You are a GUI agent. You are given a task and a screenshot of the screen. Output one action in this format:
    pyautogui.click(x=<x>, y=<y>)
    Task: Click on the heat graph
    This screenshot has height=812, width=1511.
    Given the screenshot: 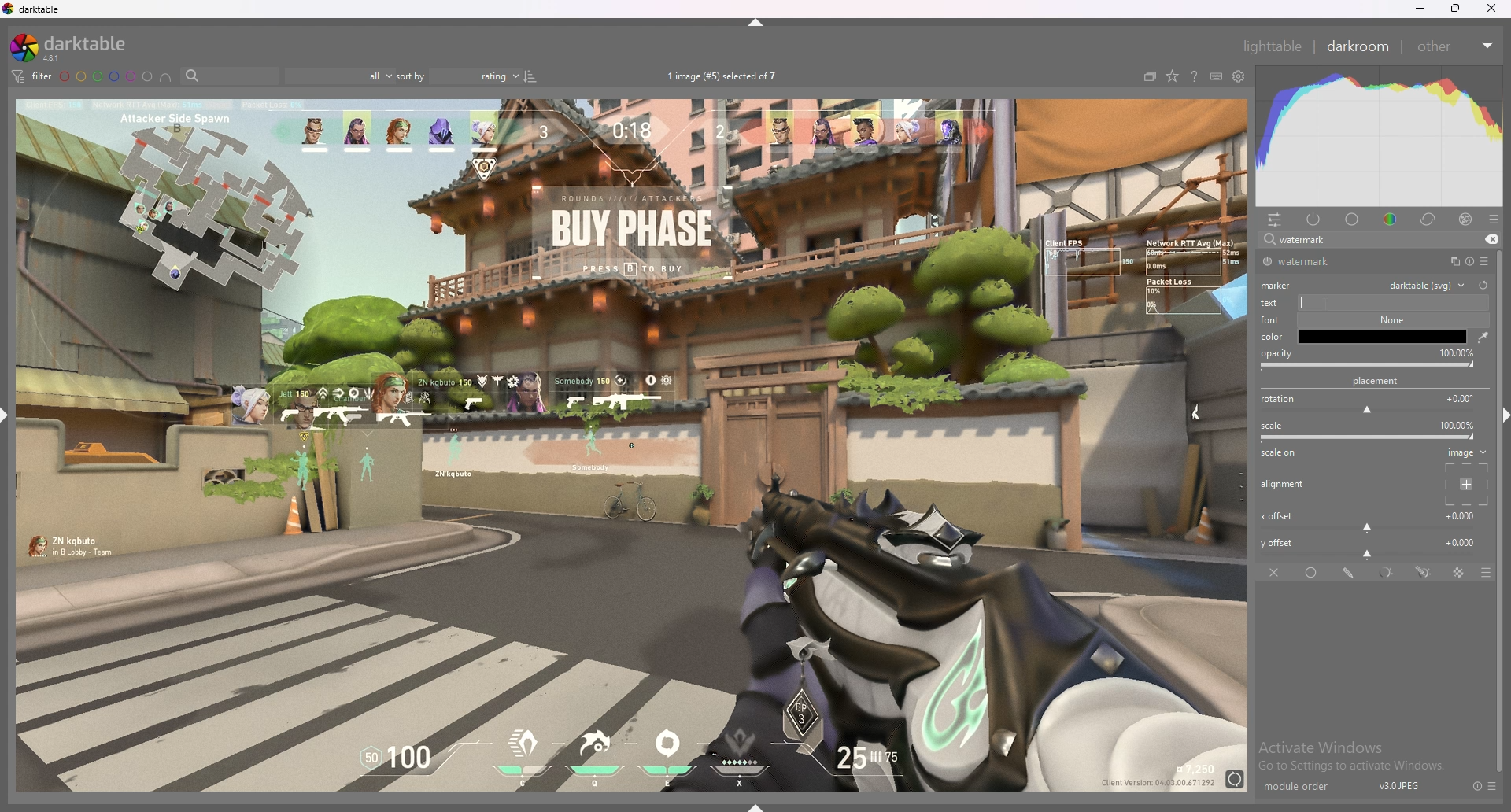 What is the action you would take?
    pyautogui.click(x=1380, y=136)
    